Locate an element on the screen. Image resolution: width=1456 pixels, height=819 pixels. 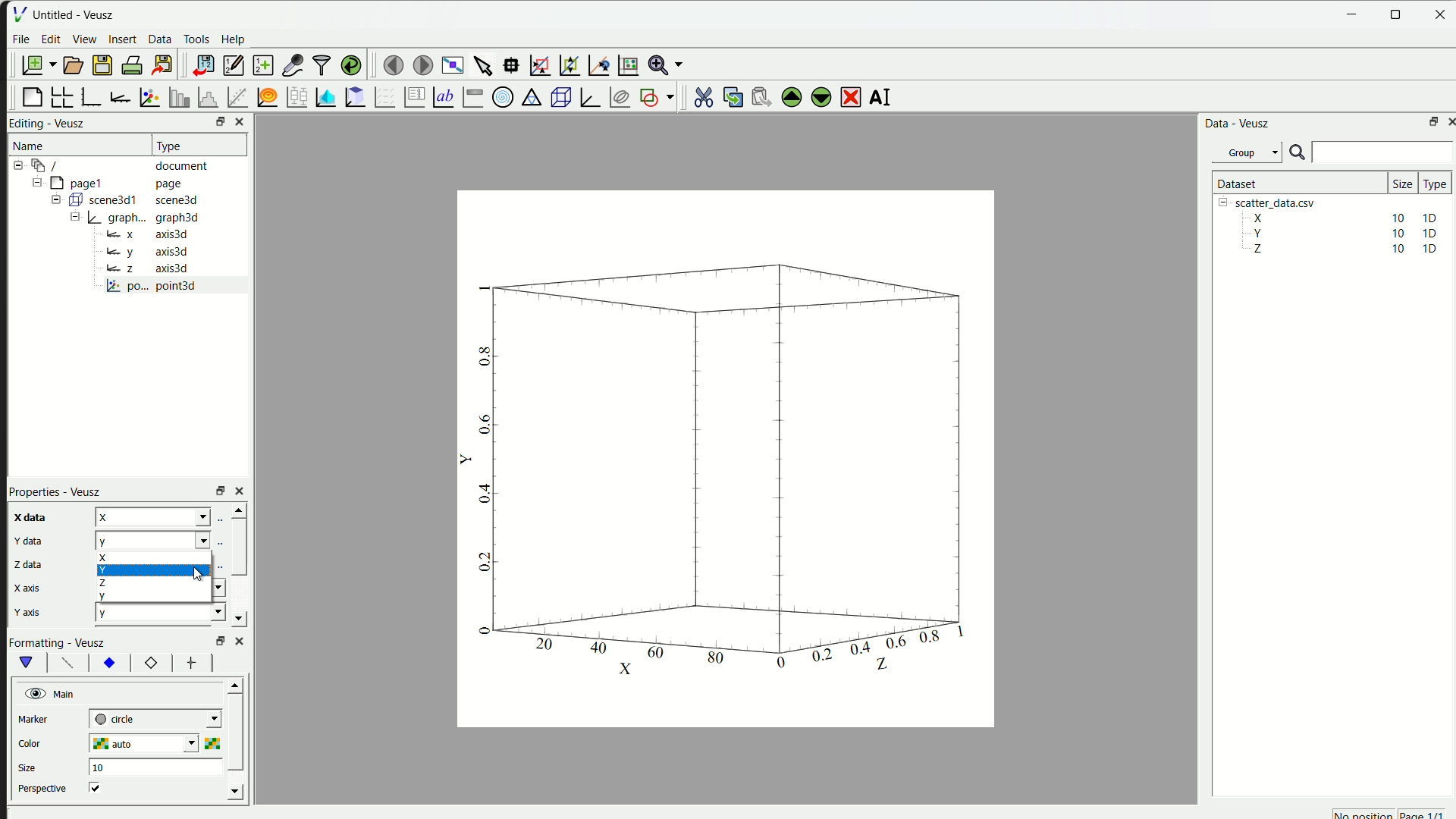
Ternary Graph is located at coordinates (529, 97).